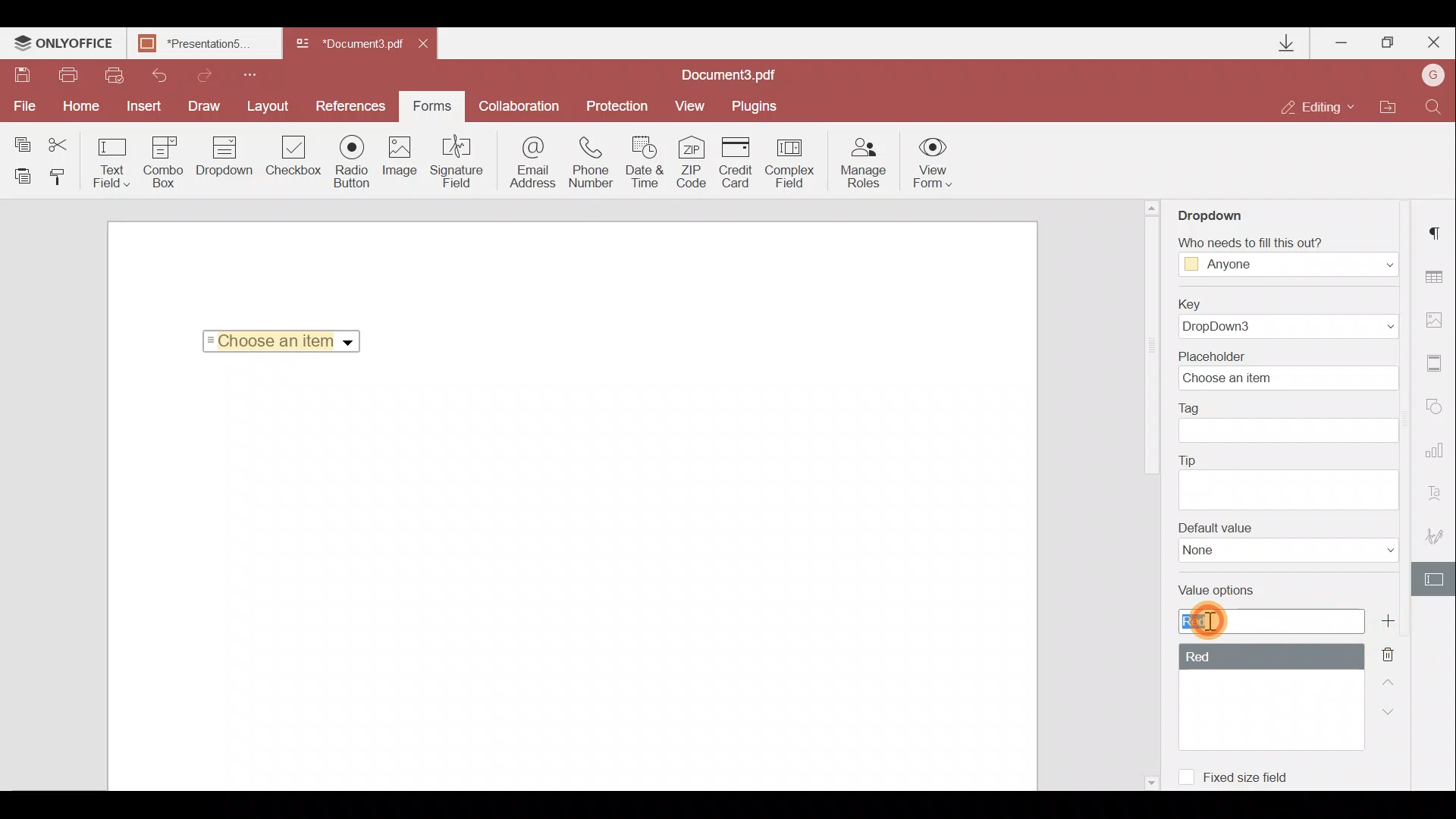 Image resolution: width=1456 pixels, height=819 pixels. I want to click on Find, so click(1436, 106).